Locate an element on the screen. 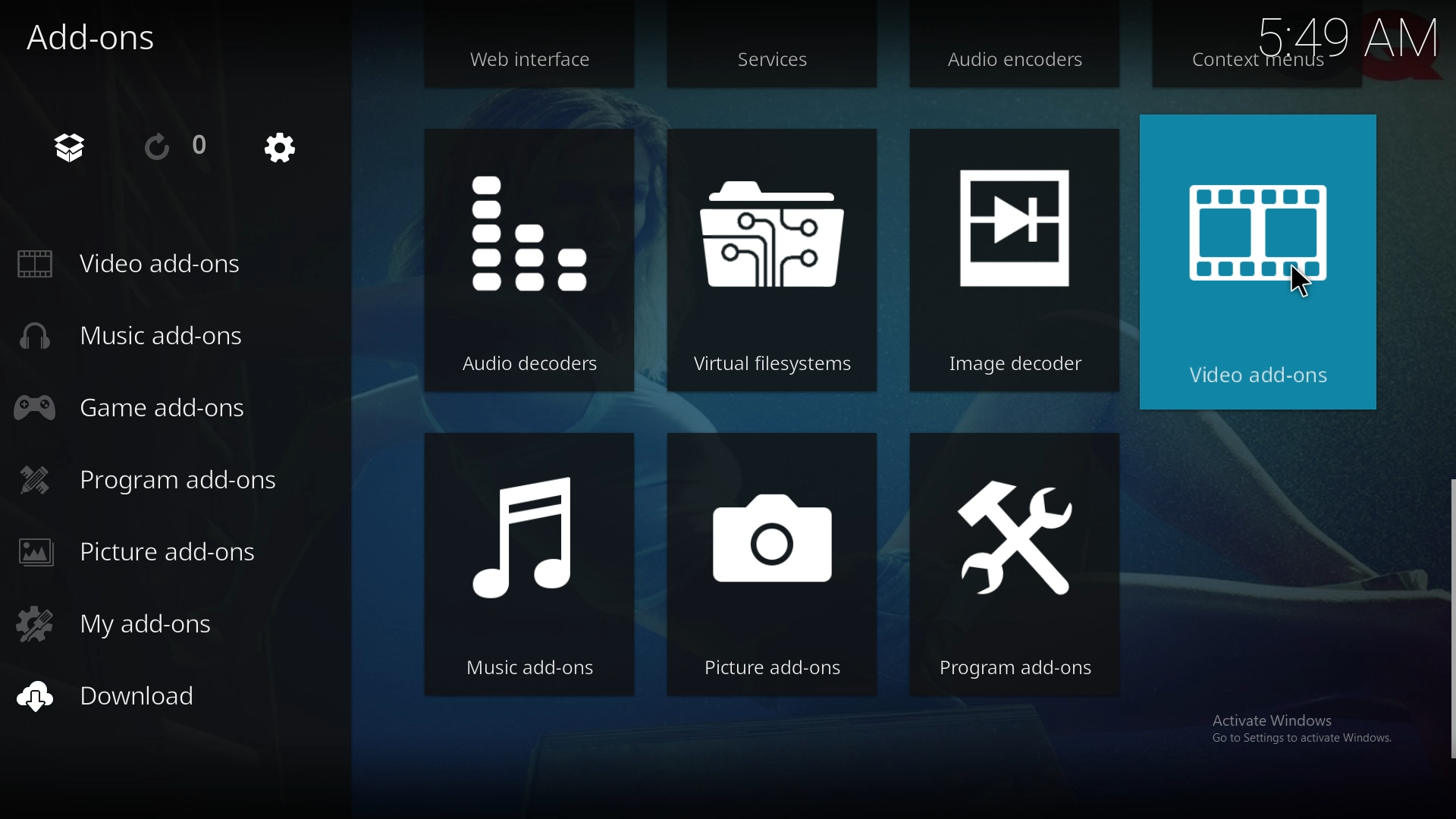 This screenshot has height=819, width=1456. web interface is located at coordinates (540, 45).